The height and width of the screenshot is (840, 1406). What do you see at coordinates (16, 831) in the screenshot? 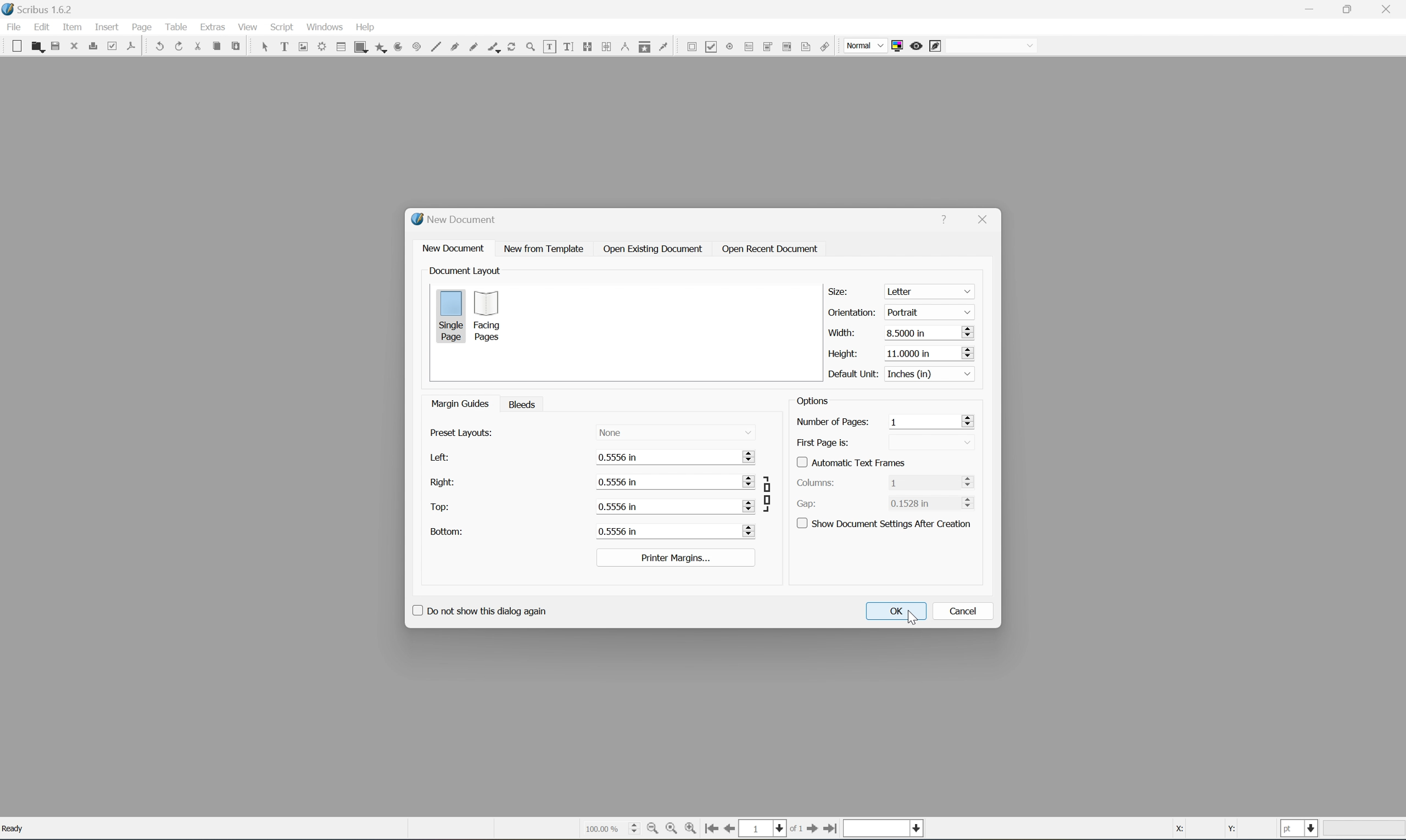
I see `Ready` at bounding box center [16, 831].